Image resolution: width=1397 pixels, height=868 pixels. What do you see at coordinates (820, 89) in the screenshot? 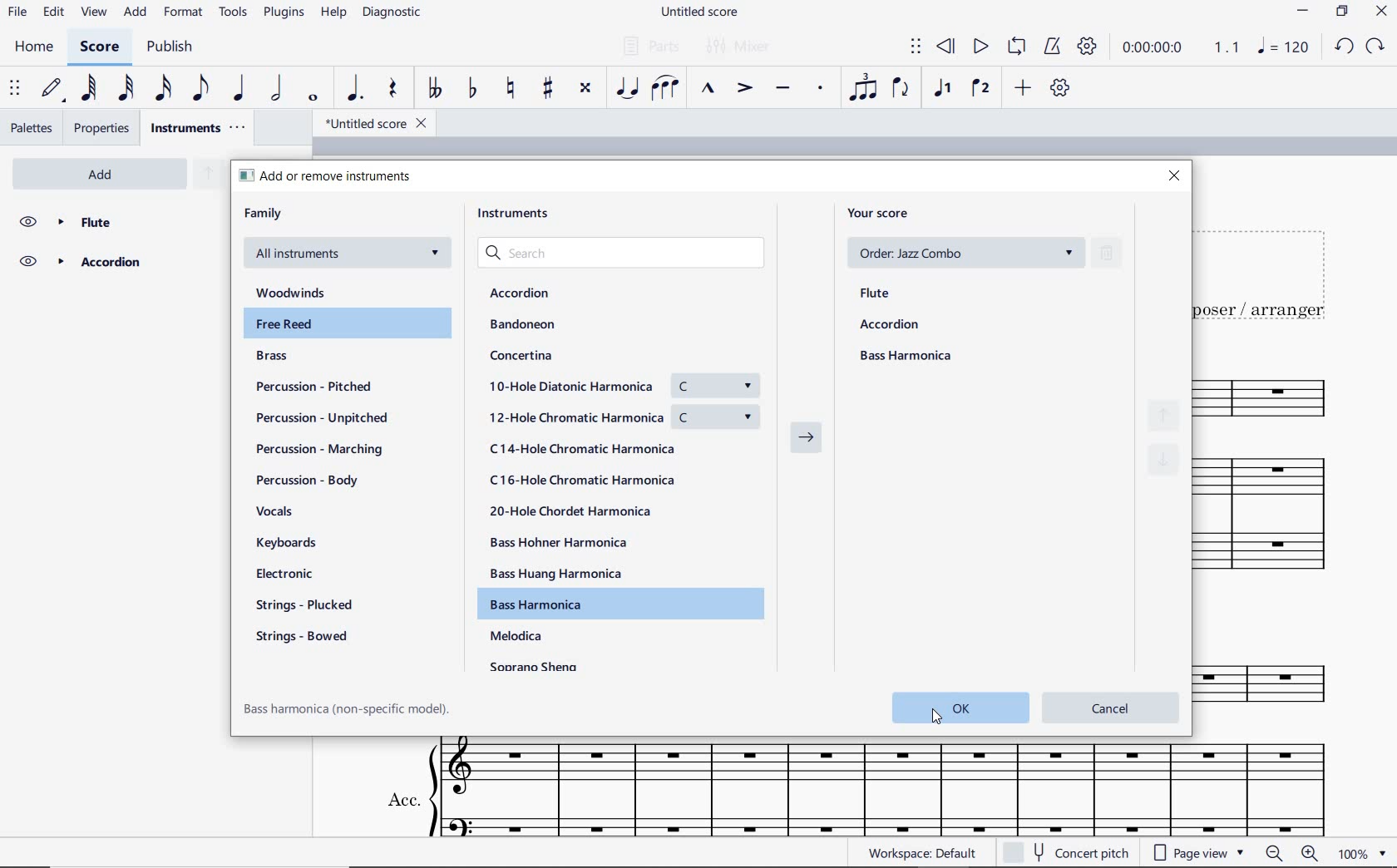
I see `staccato` at bounding box center [820, 89].